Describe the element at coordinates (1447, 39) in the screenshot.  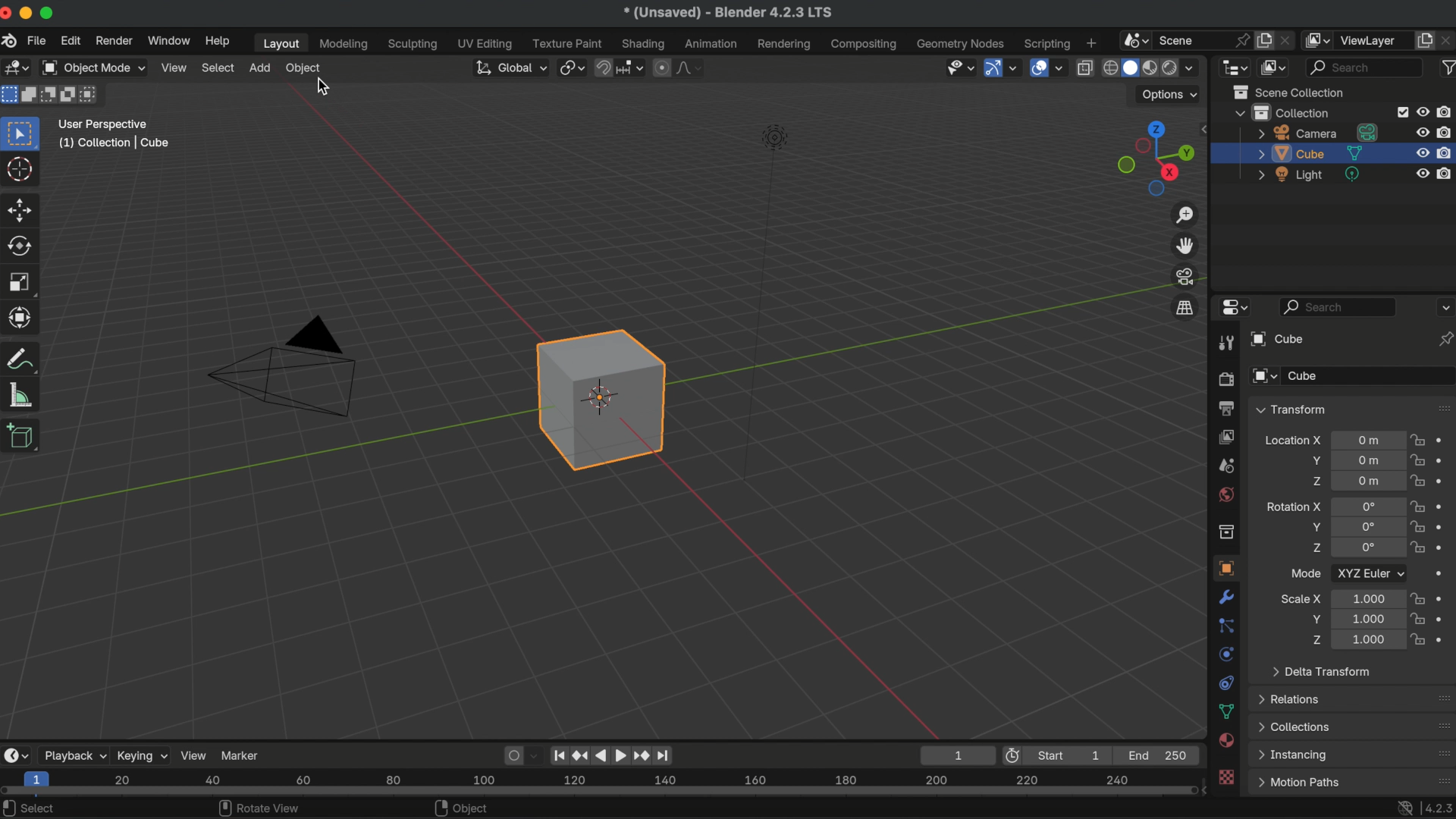
I see `remove view layer` at that location.